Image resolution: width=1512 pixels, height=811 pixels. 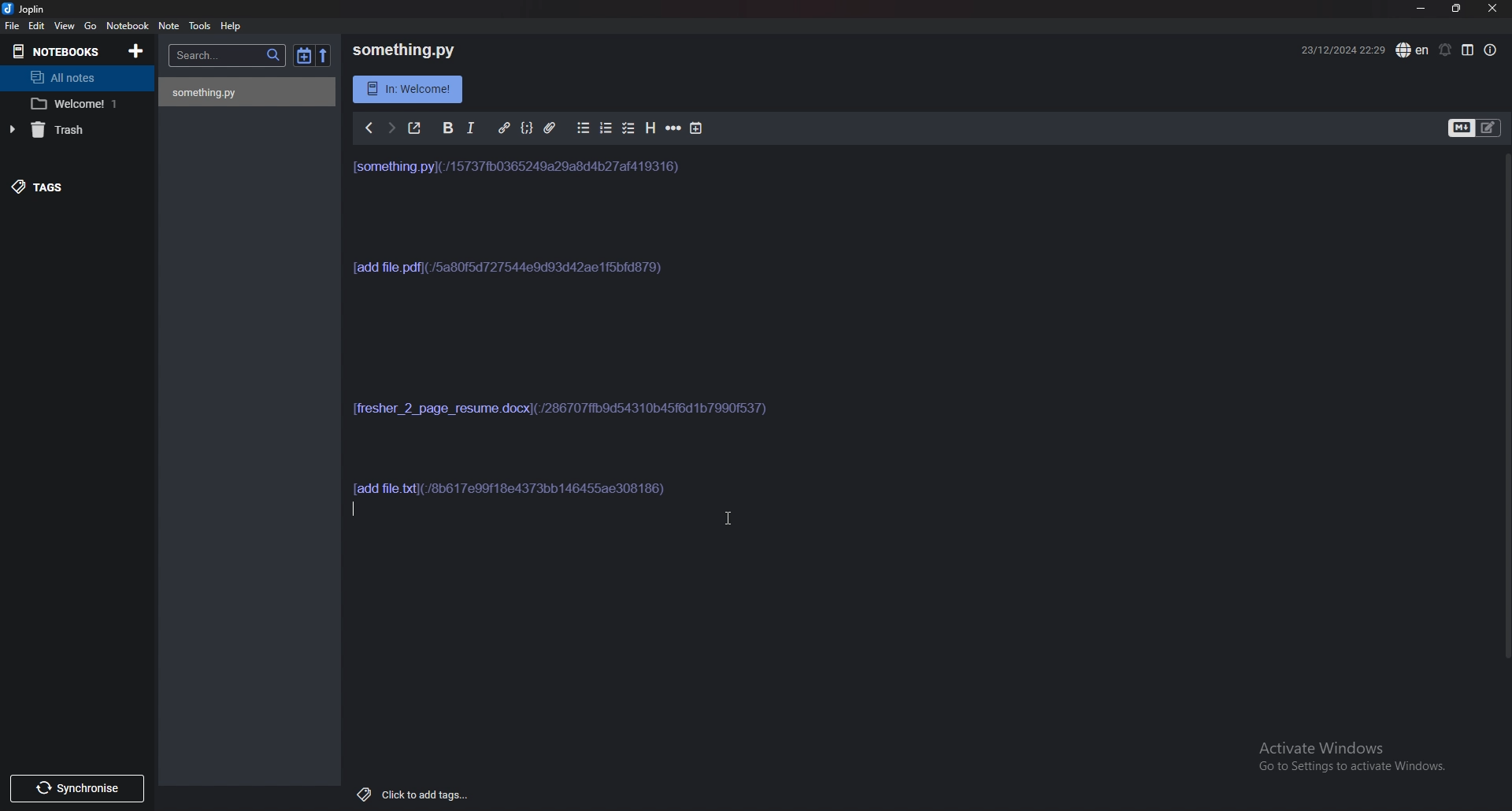 I want to click on Attachment, so click(x=550, y=128).